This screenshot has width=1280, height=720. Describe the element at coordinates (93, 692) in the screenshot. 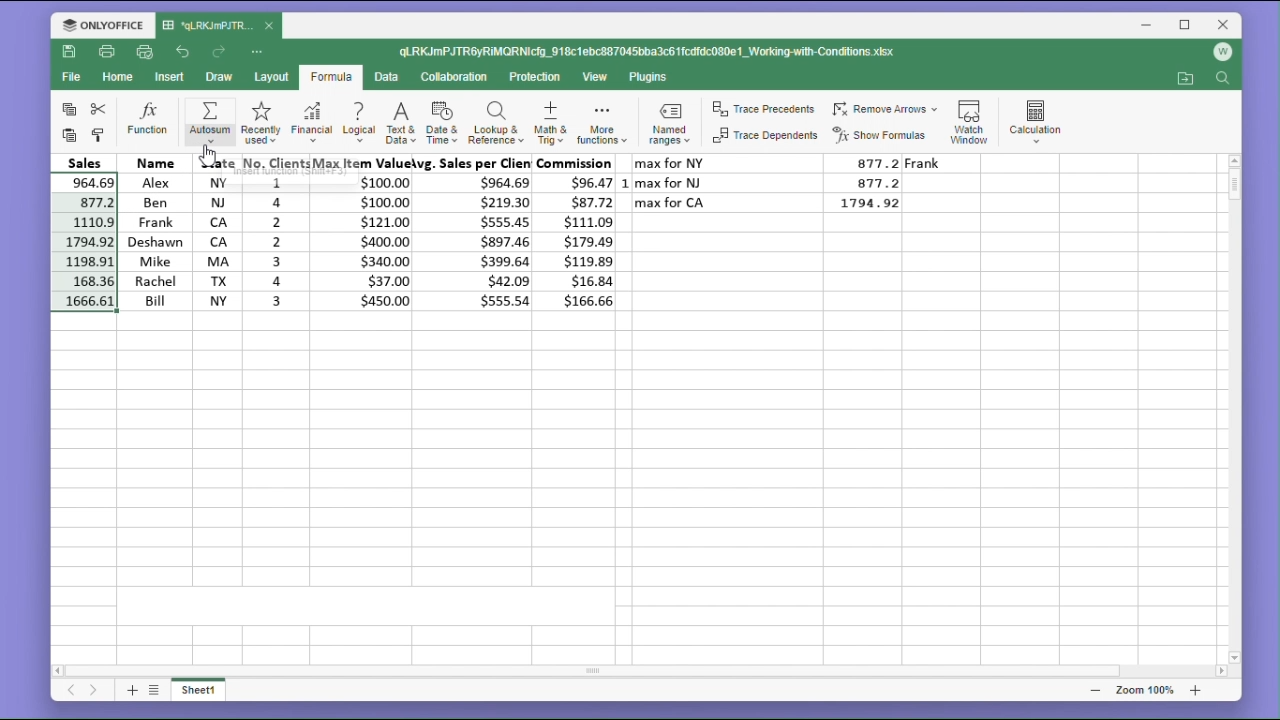

I see `next sheet` at that location.